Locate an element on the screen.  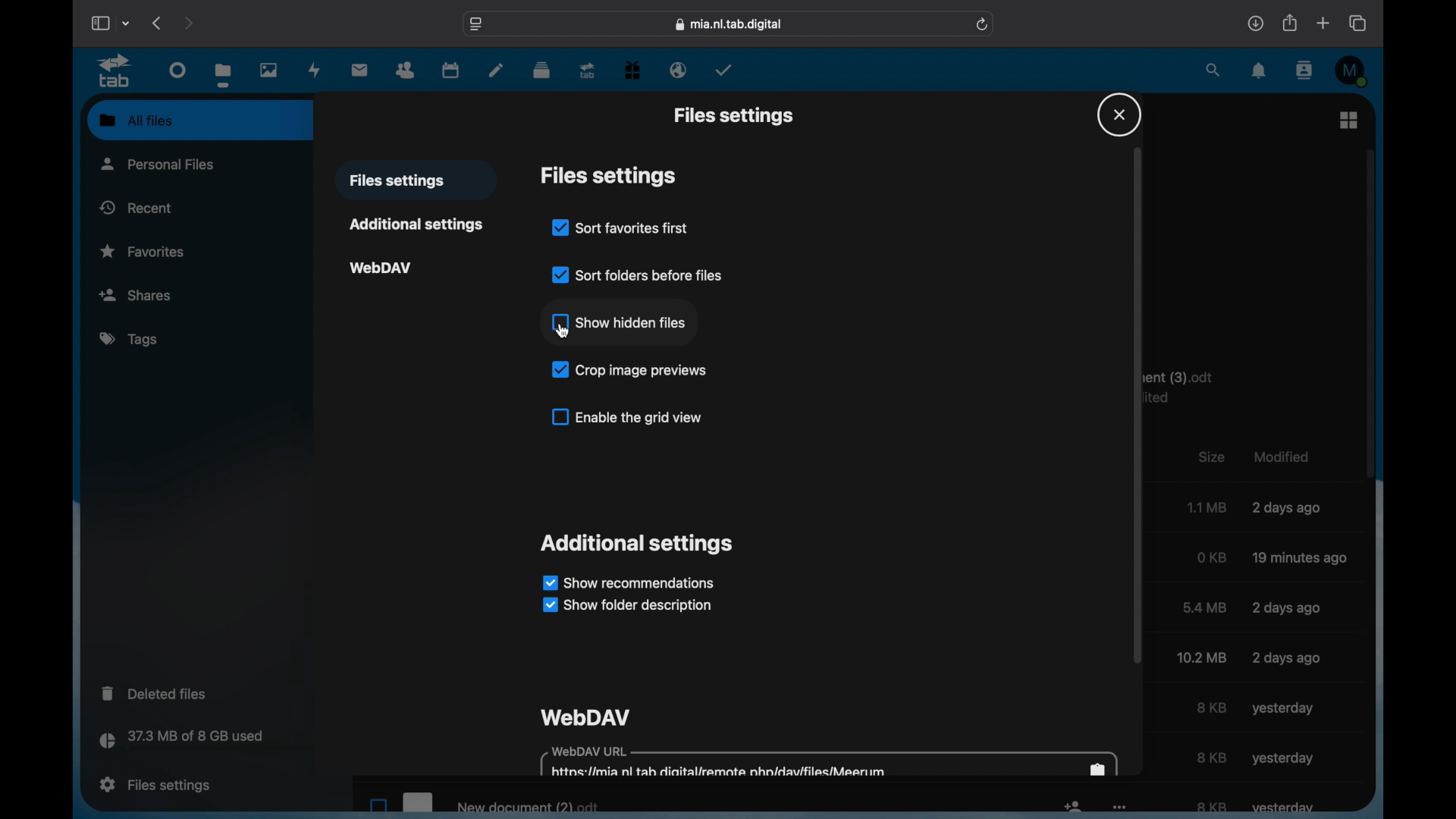
activity is located at coordinates (314, 70).